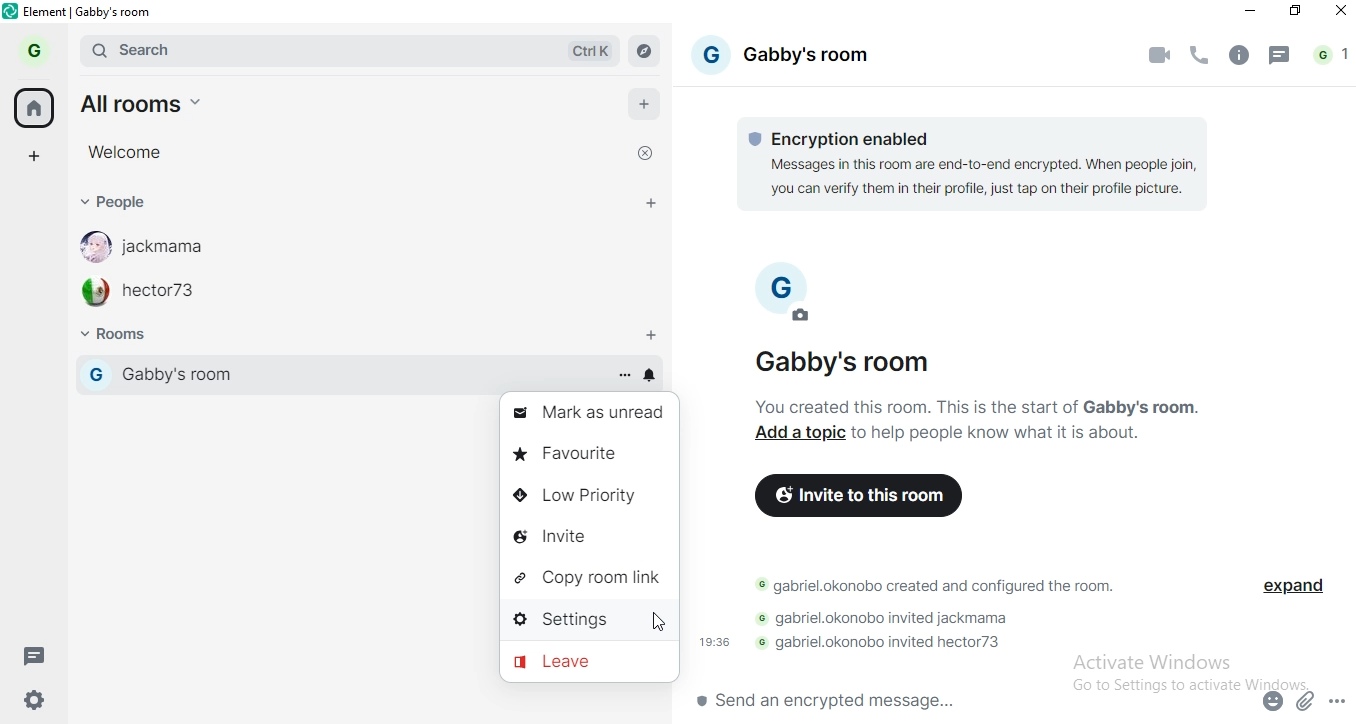 Image resolution: width=1356 pixels, height=724 pixels. I want to click on add room, so click(653, 331).